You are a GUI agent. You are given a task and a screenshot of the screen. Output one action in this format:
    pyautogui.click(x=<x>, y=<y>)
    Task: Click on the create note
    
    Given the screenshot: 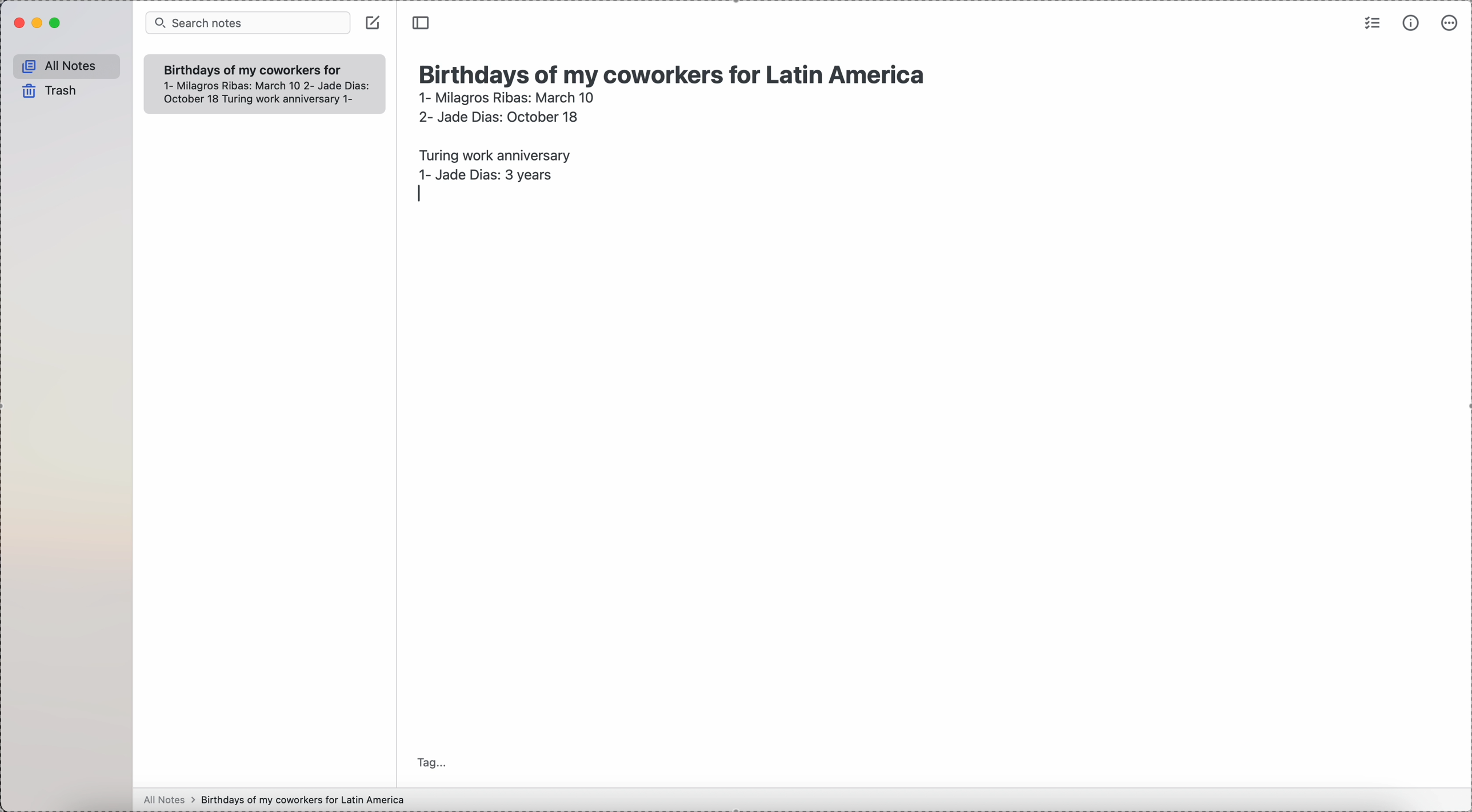 What is the action you would take?
    pyautogui.click(x=373, y=22)
    